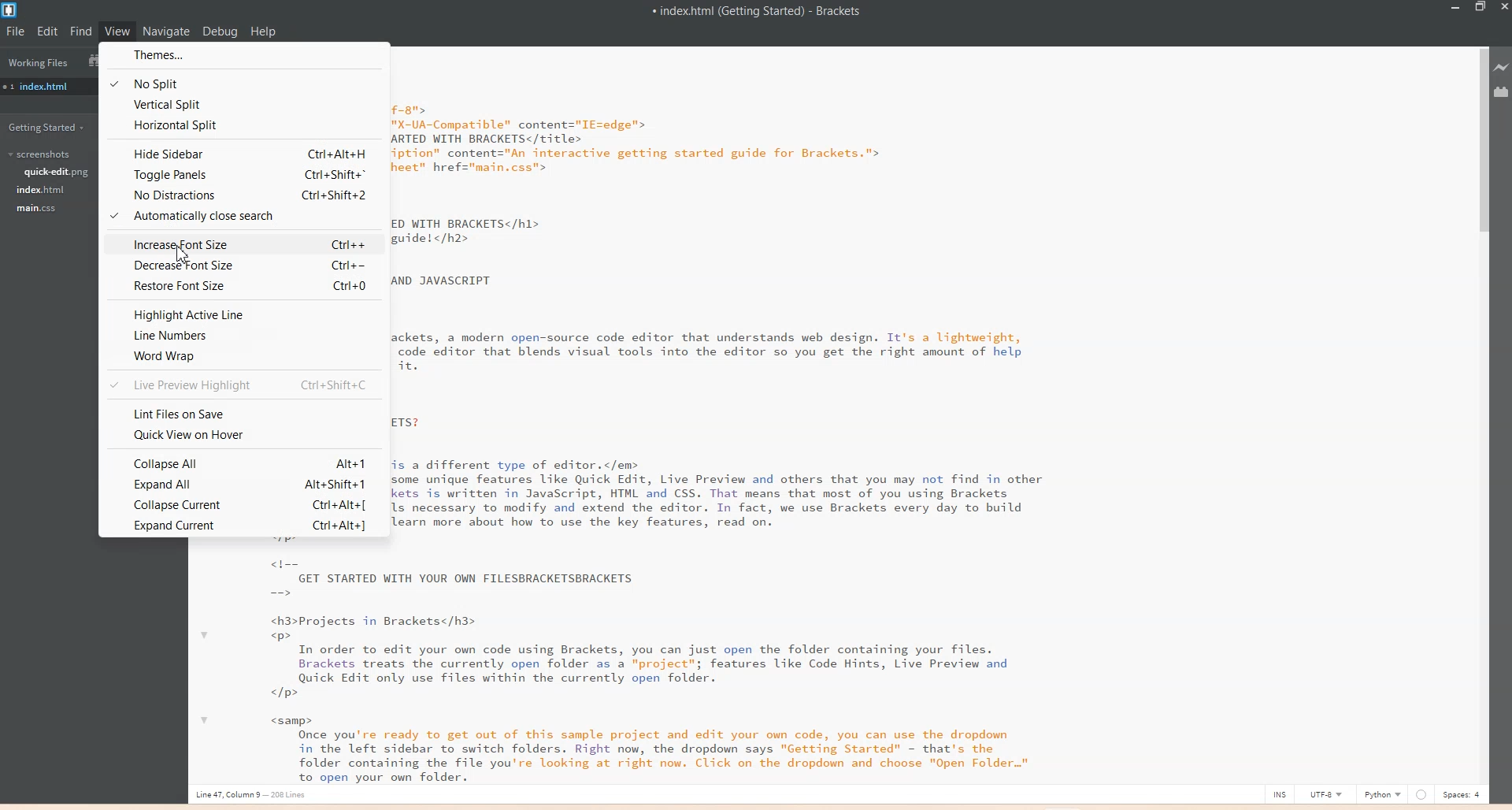 This screenshot has width=1512, height=810. What do you see at coordinates (1280, 793) in the screenshot?
I see `INS` at bounding box center [1280, 793].